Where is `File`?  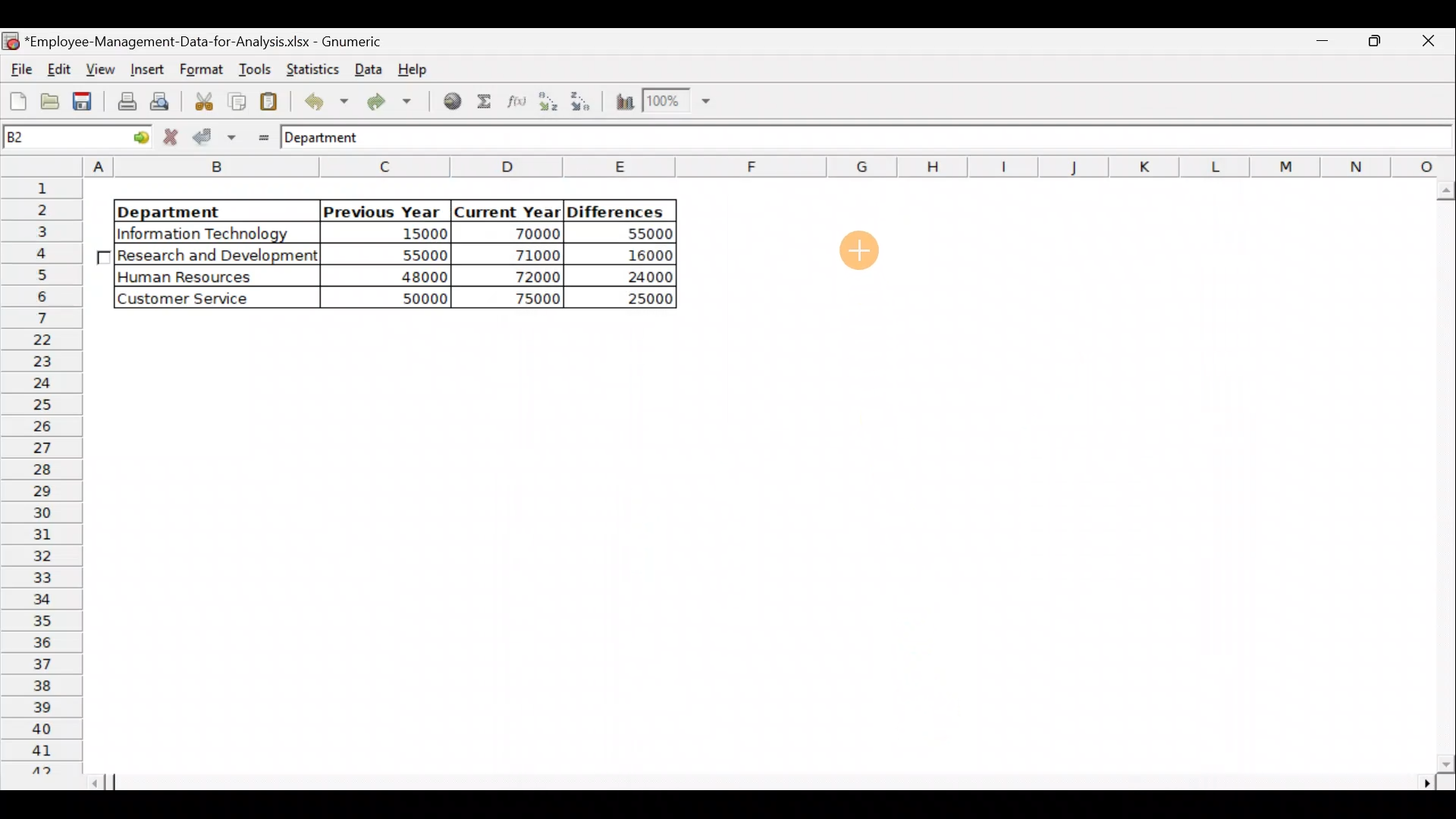
File is located at coordinates (19, 65).